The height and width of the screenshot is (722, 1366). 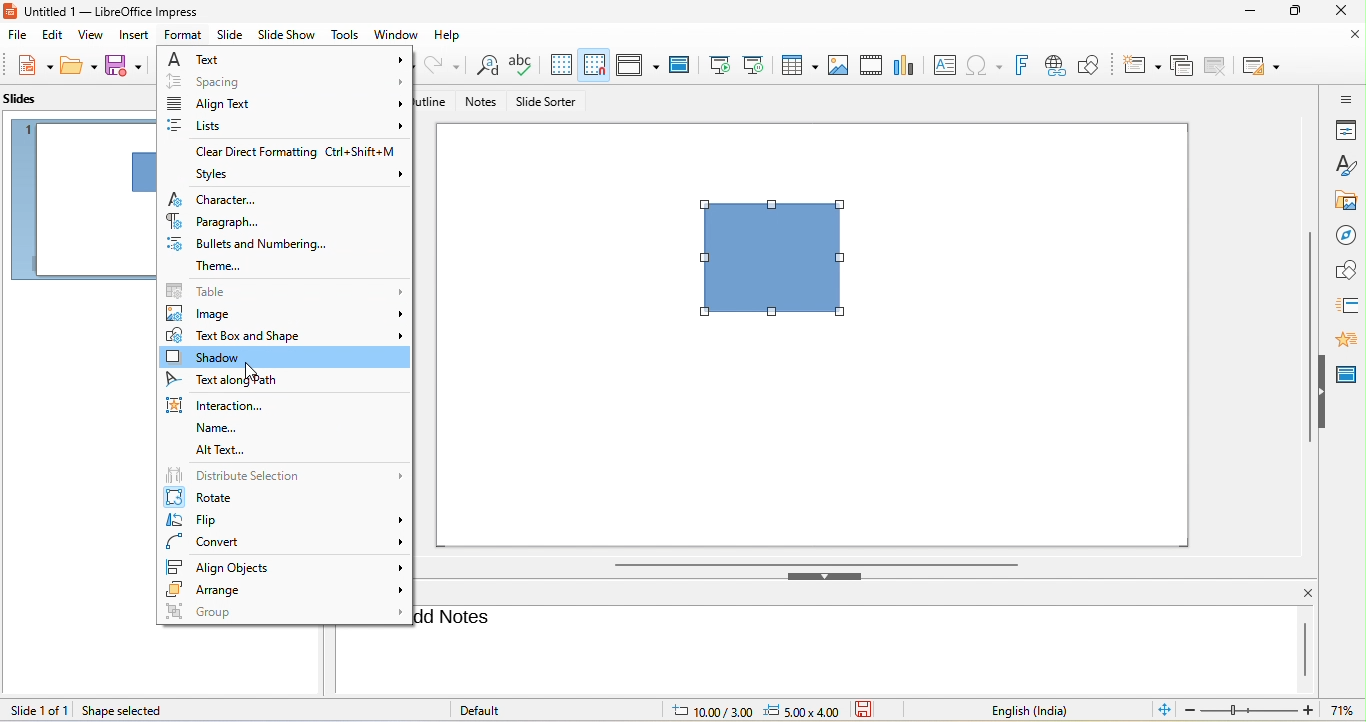 What do you see at coordinates (221, 200) in the screenshot?
I see `character` at bounding box center [221, 200].